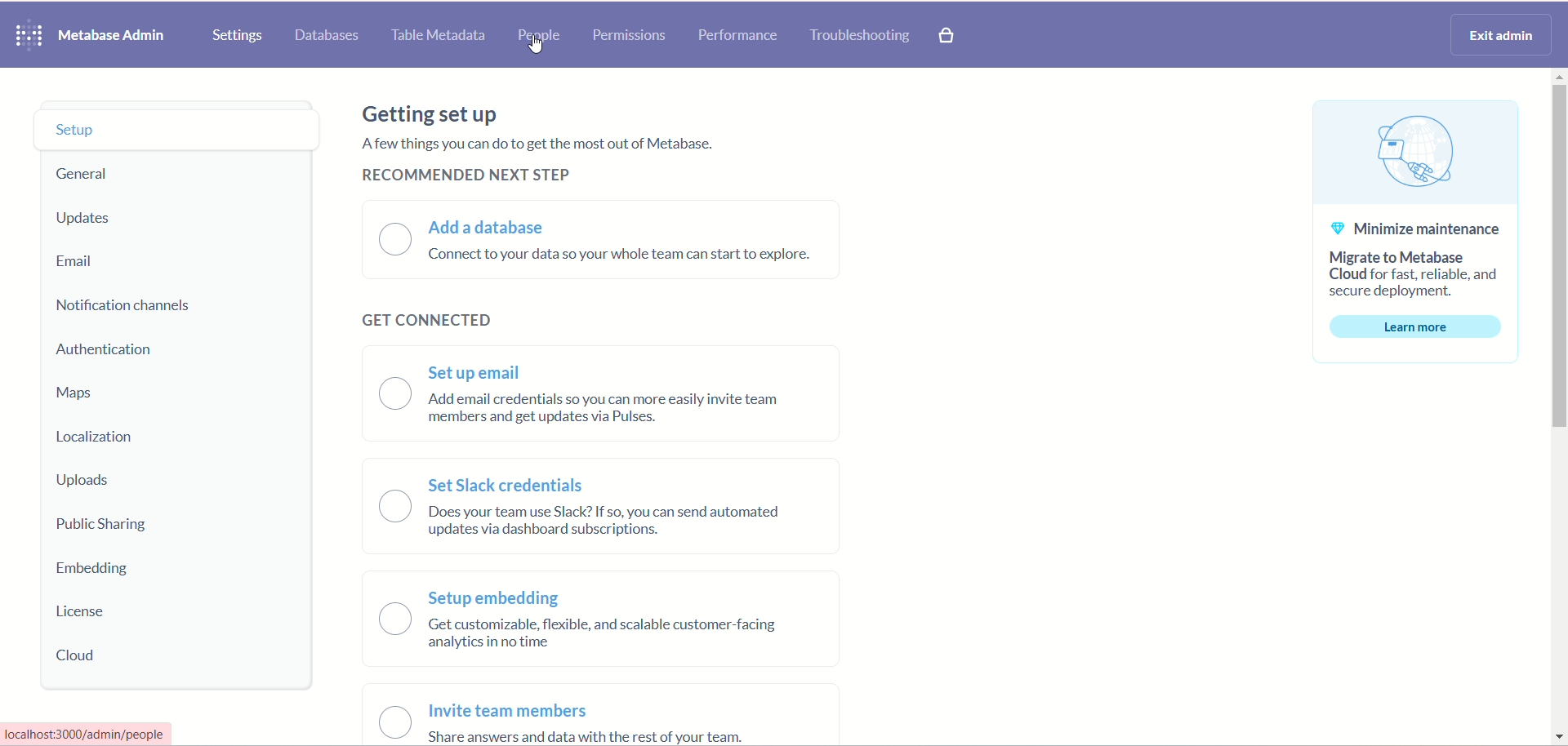 This screenshot has height=746, width=1568. What do you see at coordinates (1503, 36) in the screenshot?
I see `exit admin` at bounding box center [1503, 36].